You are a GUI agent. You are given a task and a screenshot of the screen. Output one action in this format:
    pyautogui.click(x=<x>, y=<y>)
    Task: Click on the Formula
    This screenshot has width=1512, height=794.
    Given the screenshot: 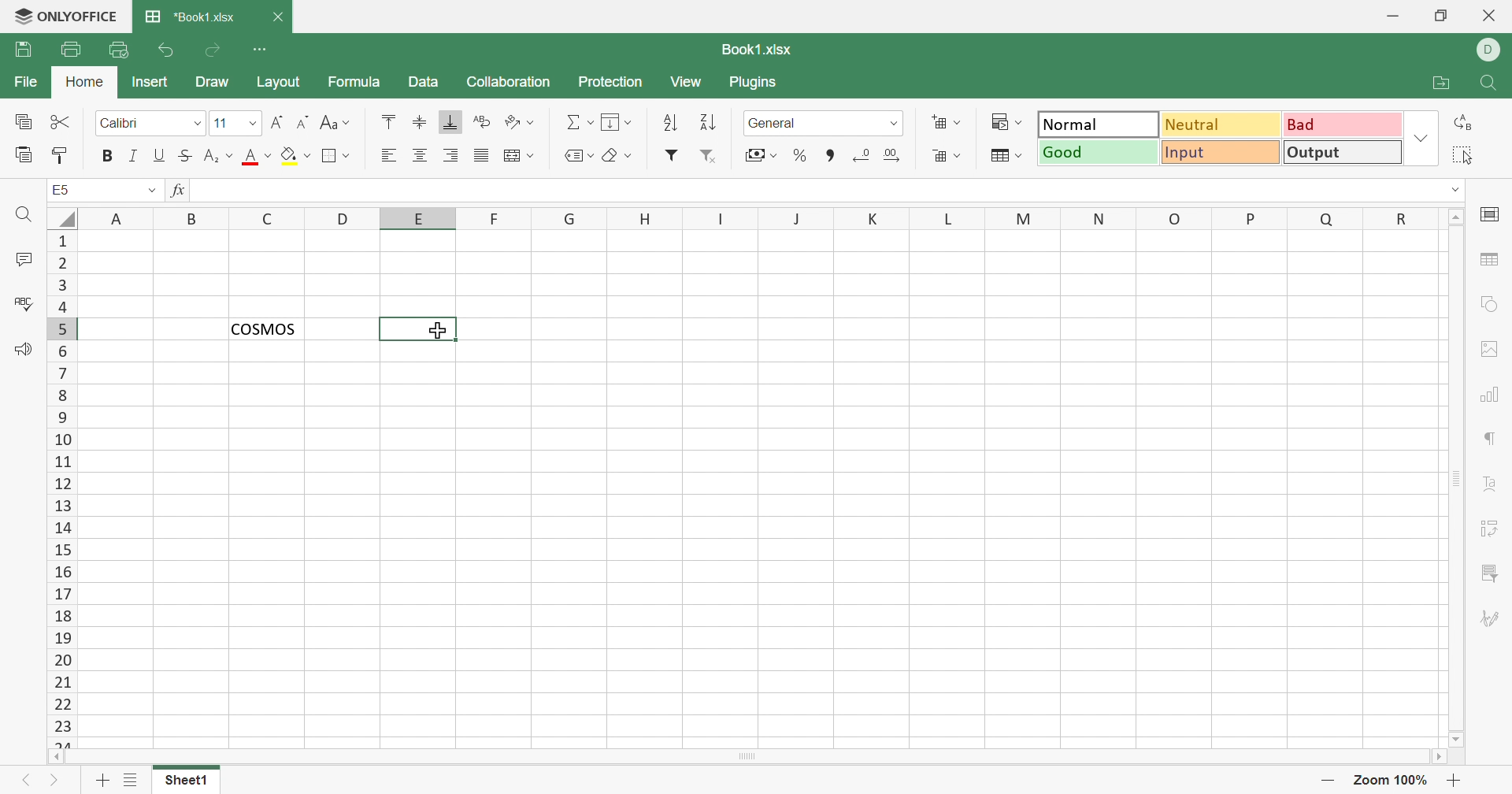 What is the action you would take?
    pyautogui.click(x=353, y=82)
    